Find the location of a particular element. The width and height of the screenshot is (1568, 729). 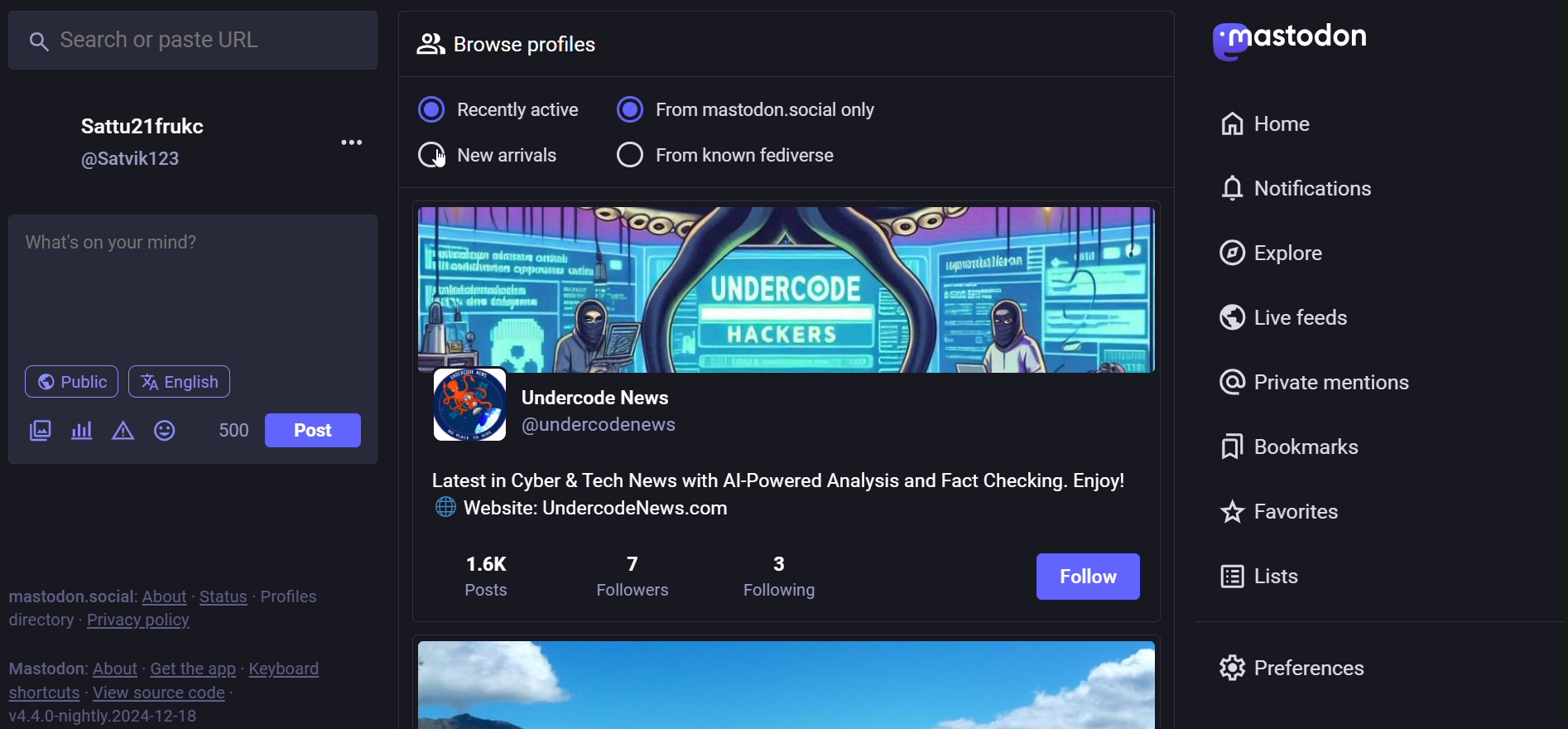

privacy policy is located at coordinates (137, 620).